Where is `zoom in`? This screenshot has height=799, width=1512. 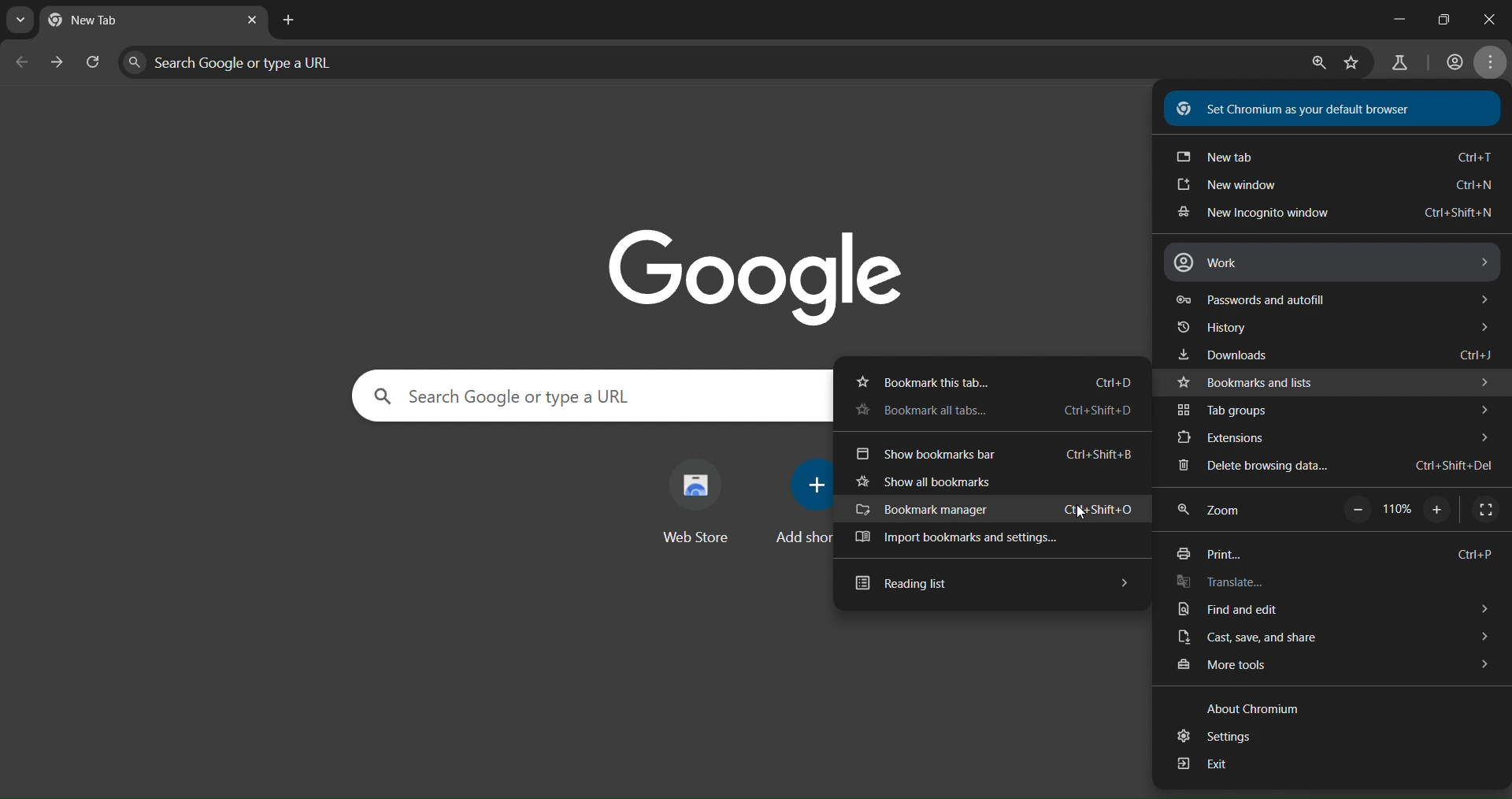 zoom in is located at coordinates (1439, 508).